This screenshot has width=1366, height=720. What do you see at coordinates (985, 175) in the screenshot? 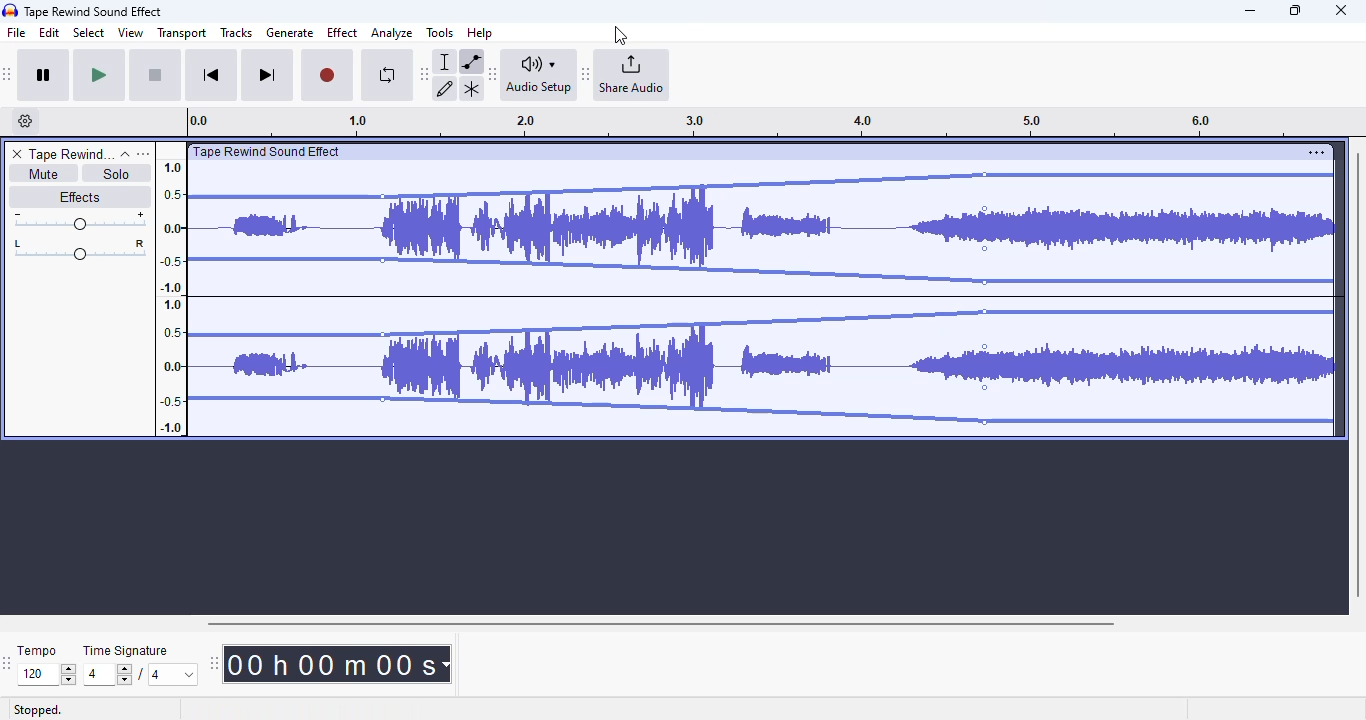
I see `Control point` at bounding box center [985, 175].